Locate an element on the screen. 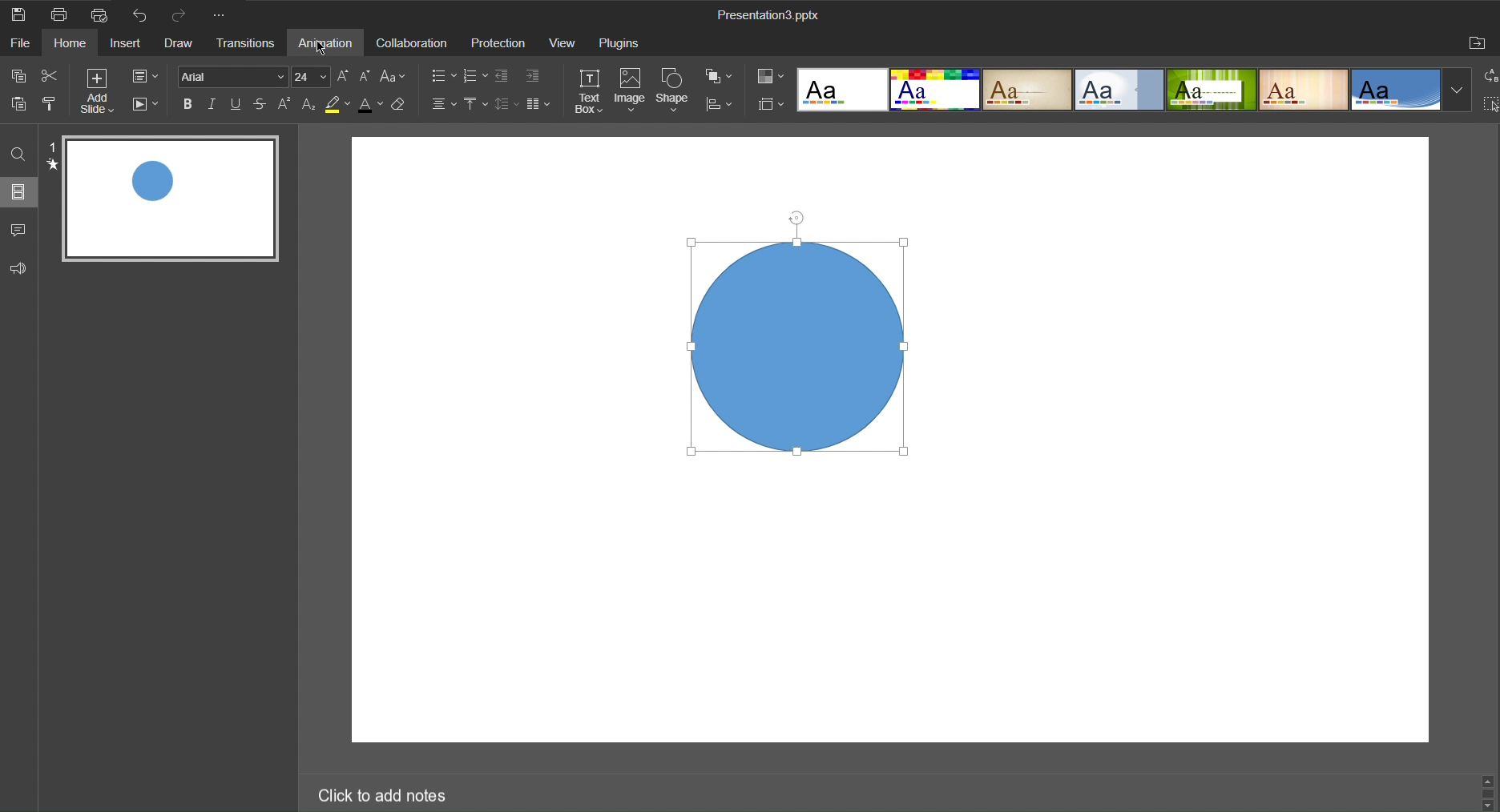 The width and height of the screenshot is (1500, 812). Cut is located at coordinates (54, 77).